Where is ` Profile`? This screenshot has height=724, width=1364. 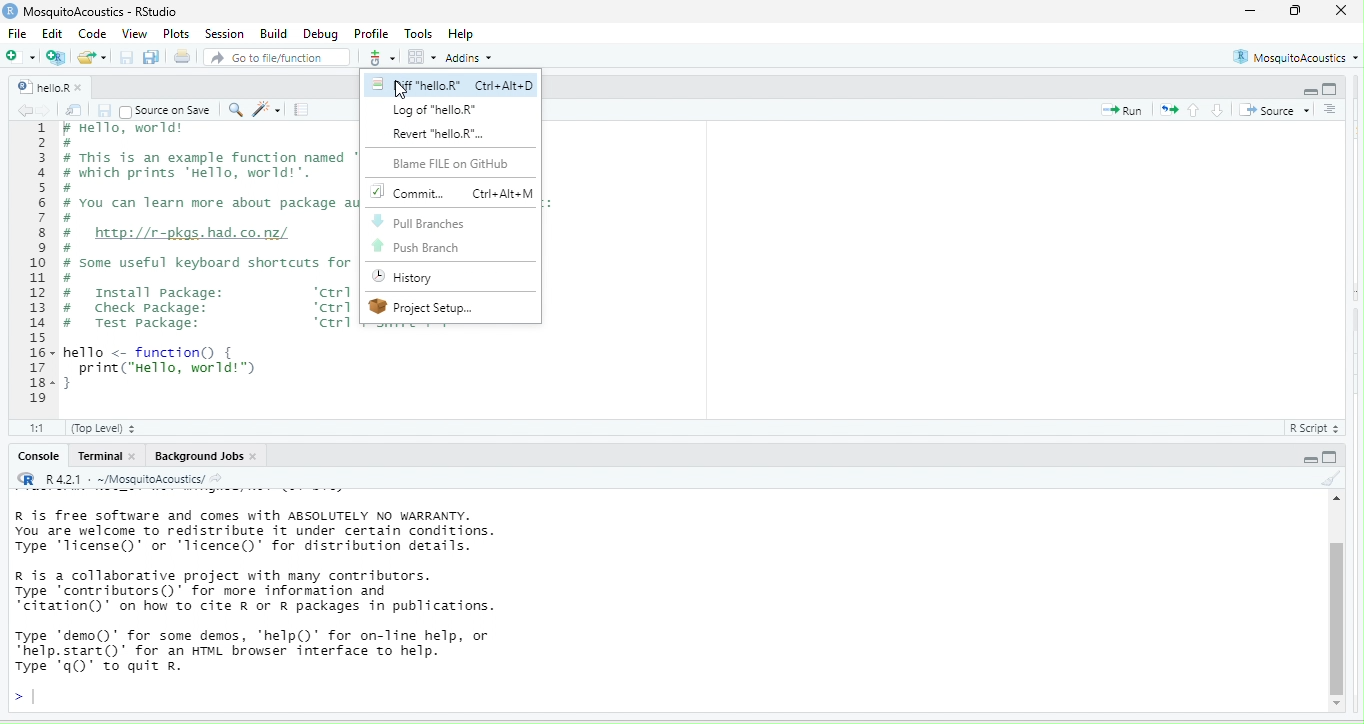  Profile is located at coordinates (370, 35).